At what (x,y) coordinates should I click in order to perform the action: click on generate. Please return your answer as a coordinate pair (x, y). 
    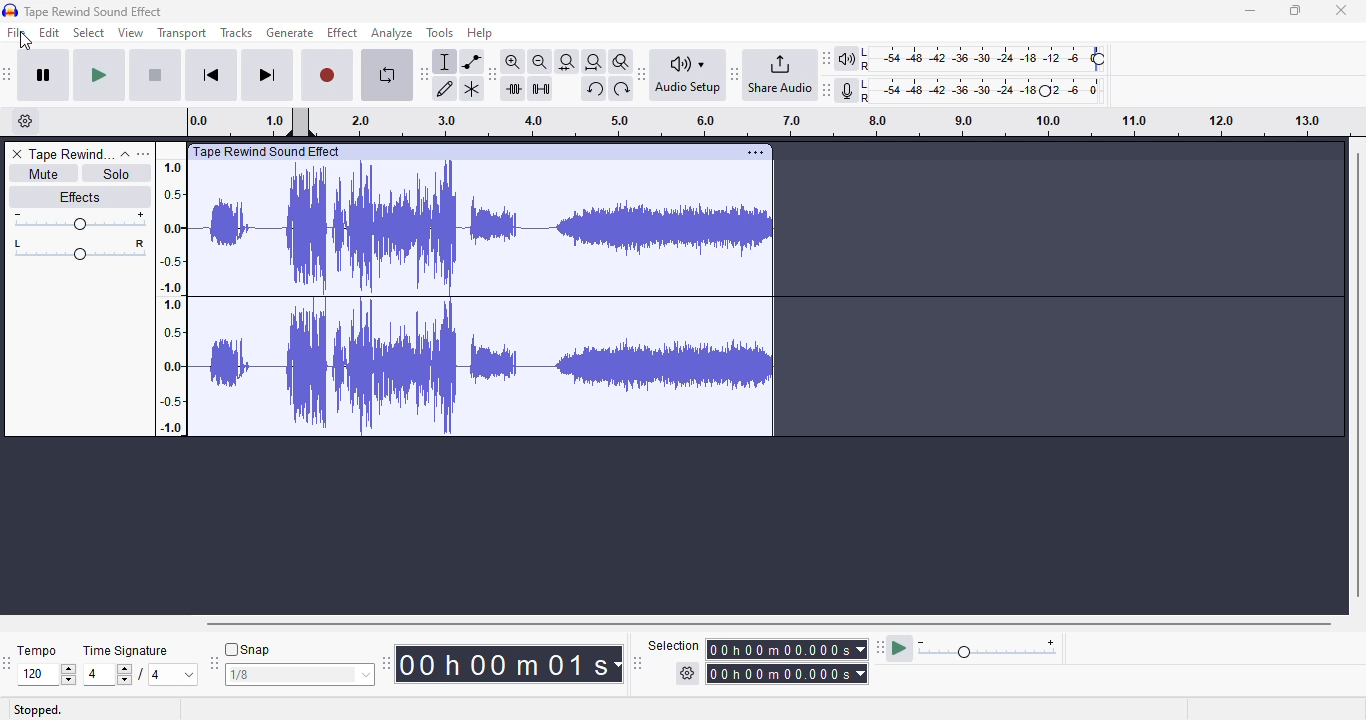
    Looking at the image, I should click on (289, 33).